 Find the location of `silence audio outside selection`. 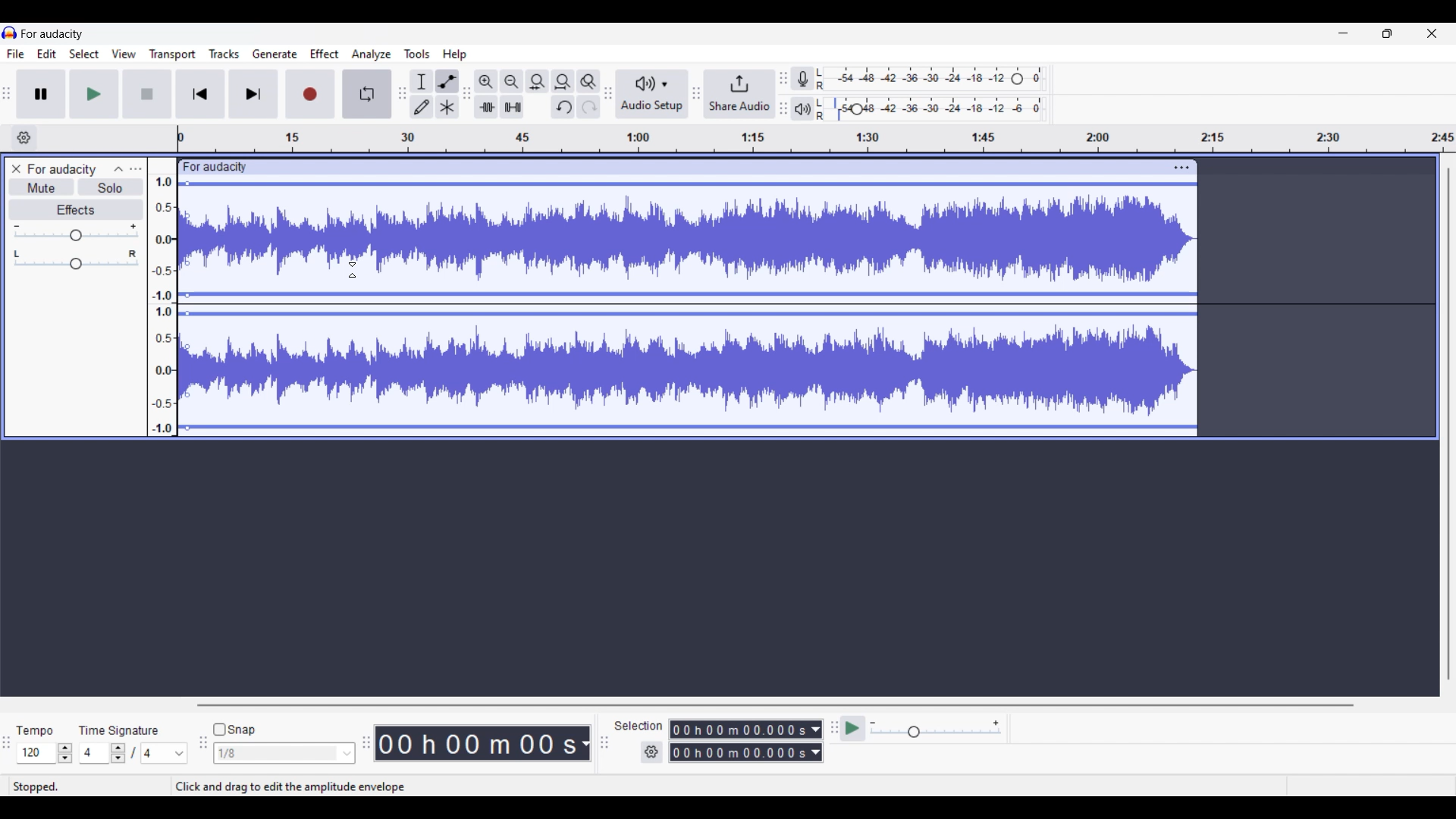

silence audio outside selection is located at coordinates (514, 107).